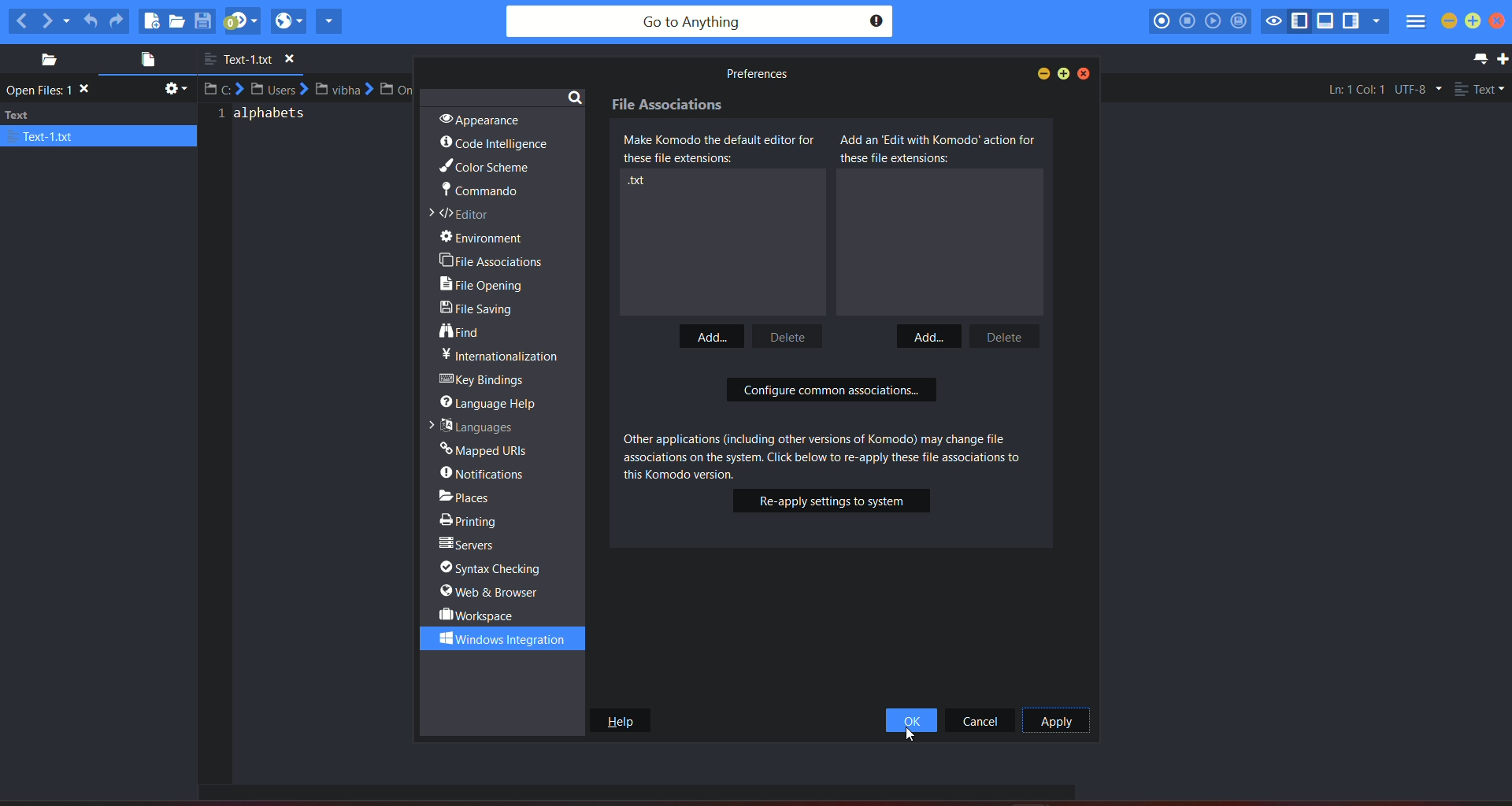 Image resolution: width=1512 pixels, height=806 pixels. What do you see at coordinates (500, 355) in the screenshot?
I see `text` at bounding box center [500, 355].